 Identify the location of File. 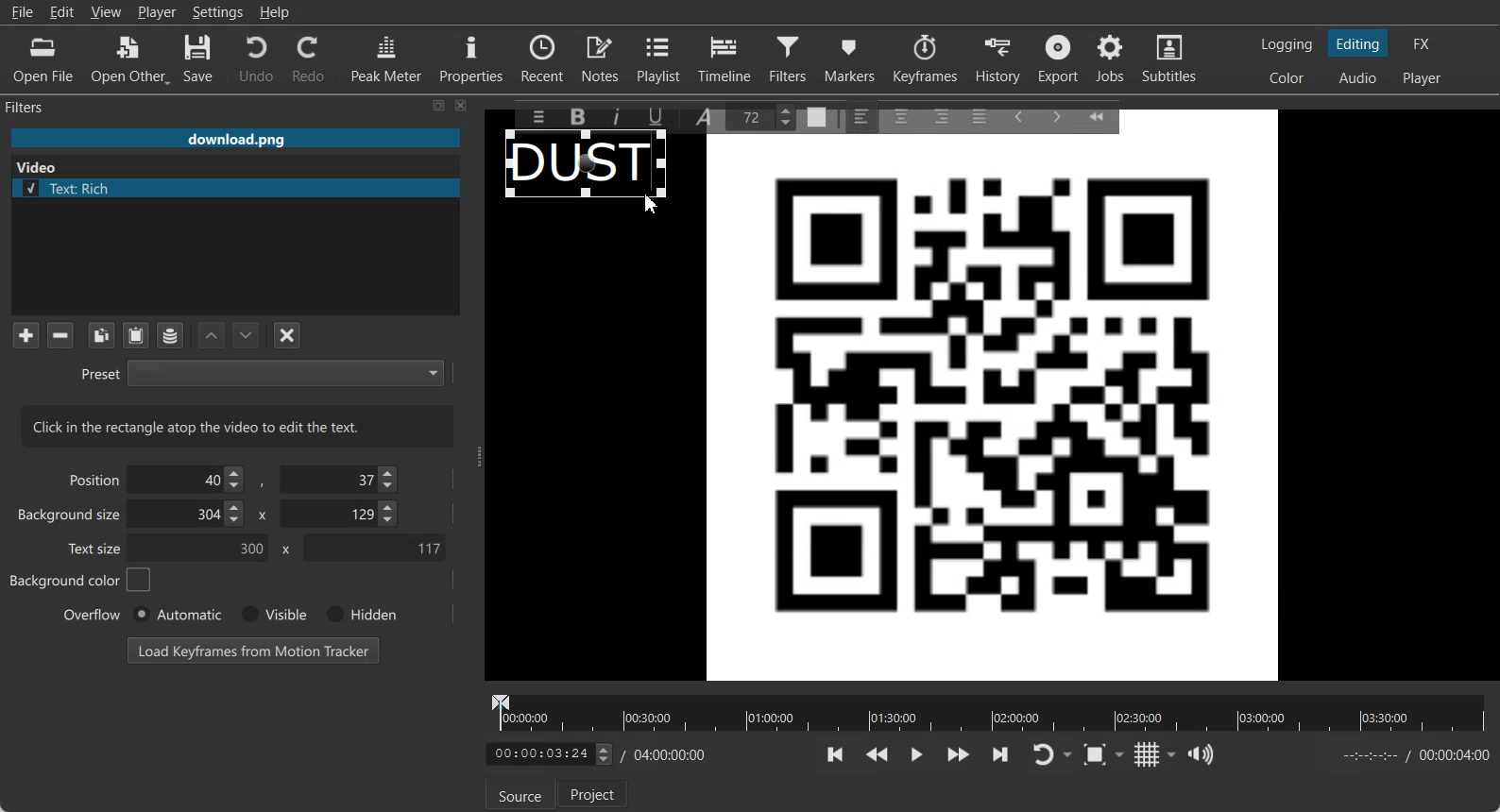
(235, 140).